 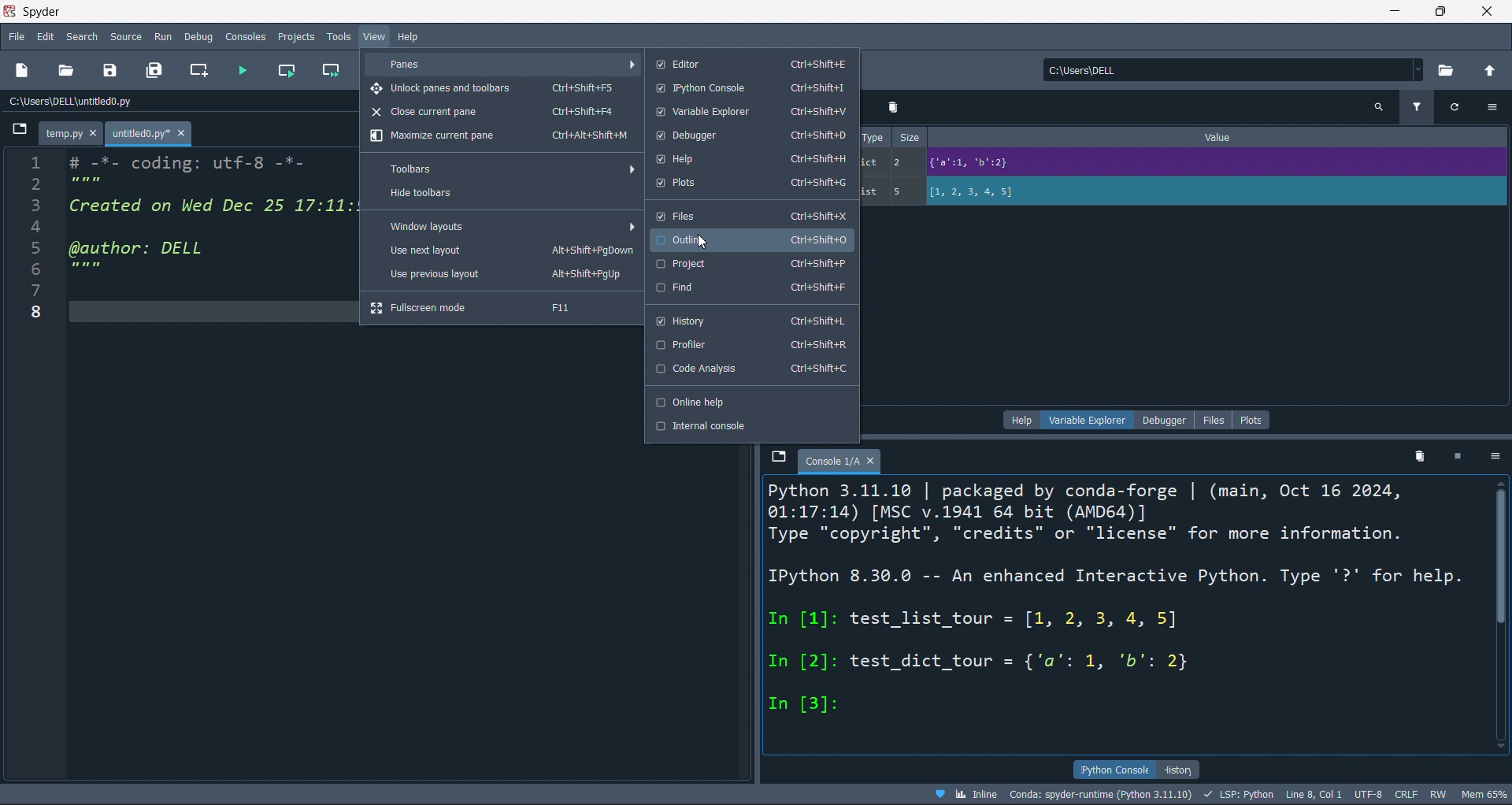 I want to click on close current pane, so click(x=495, y=113).